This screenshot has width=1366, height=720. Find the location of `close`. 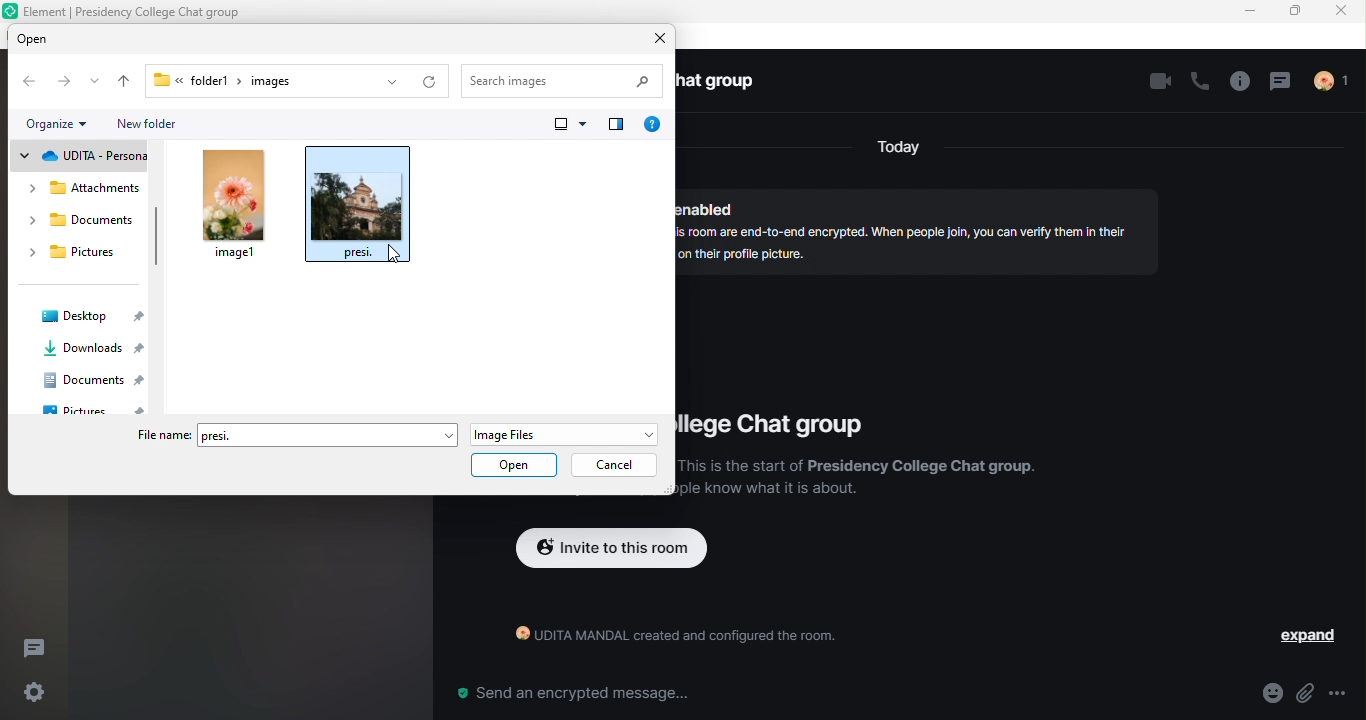

close is located at coordinates (1344, 12).